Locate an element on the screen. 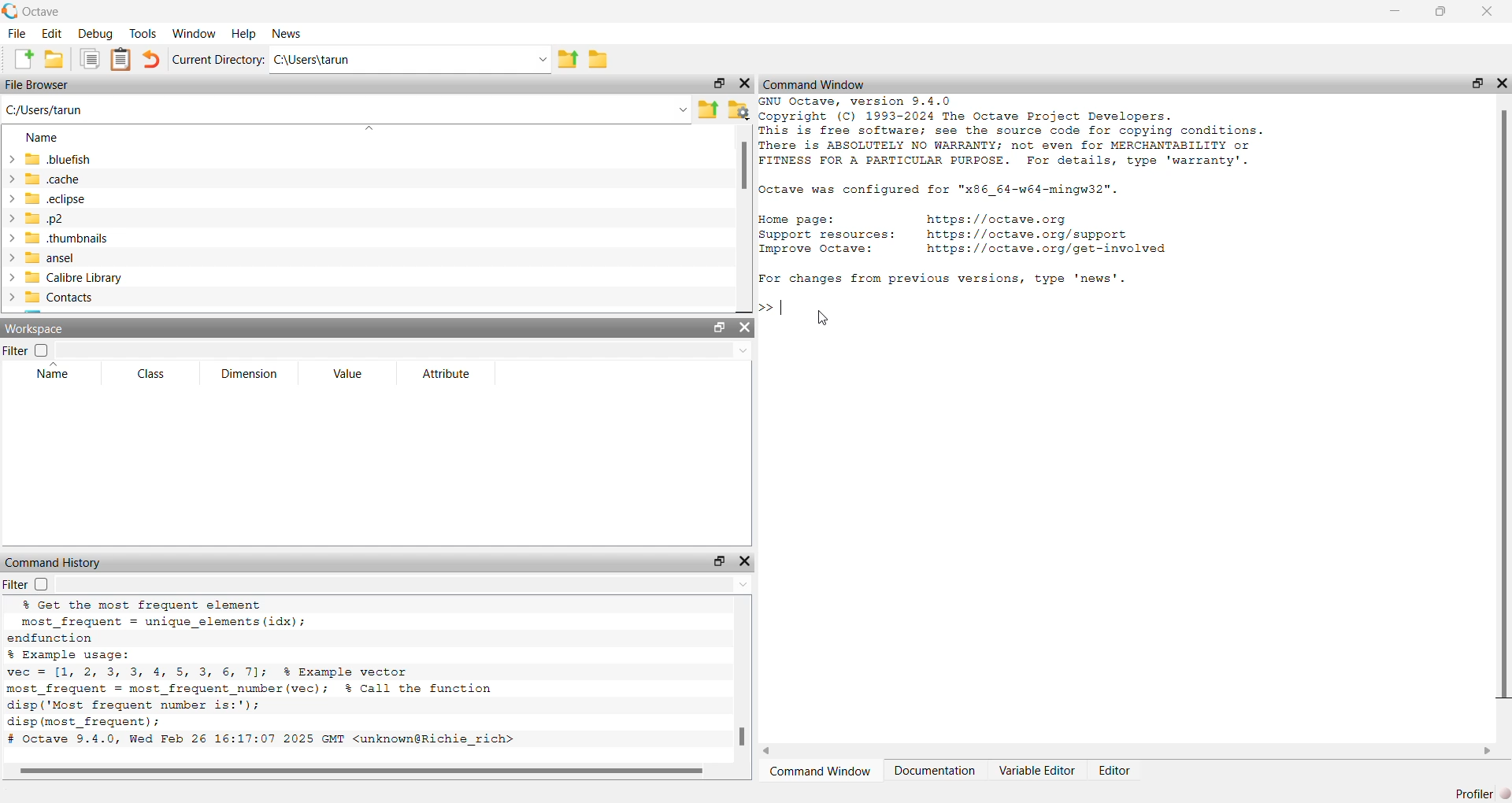  Command Window is located at coordinates (815, 84).